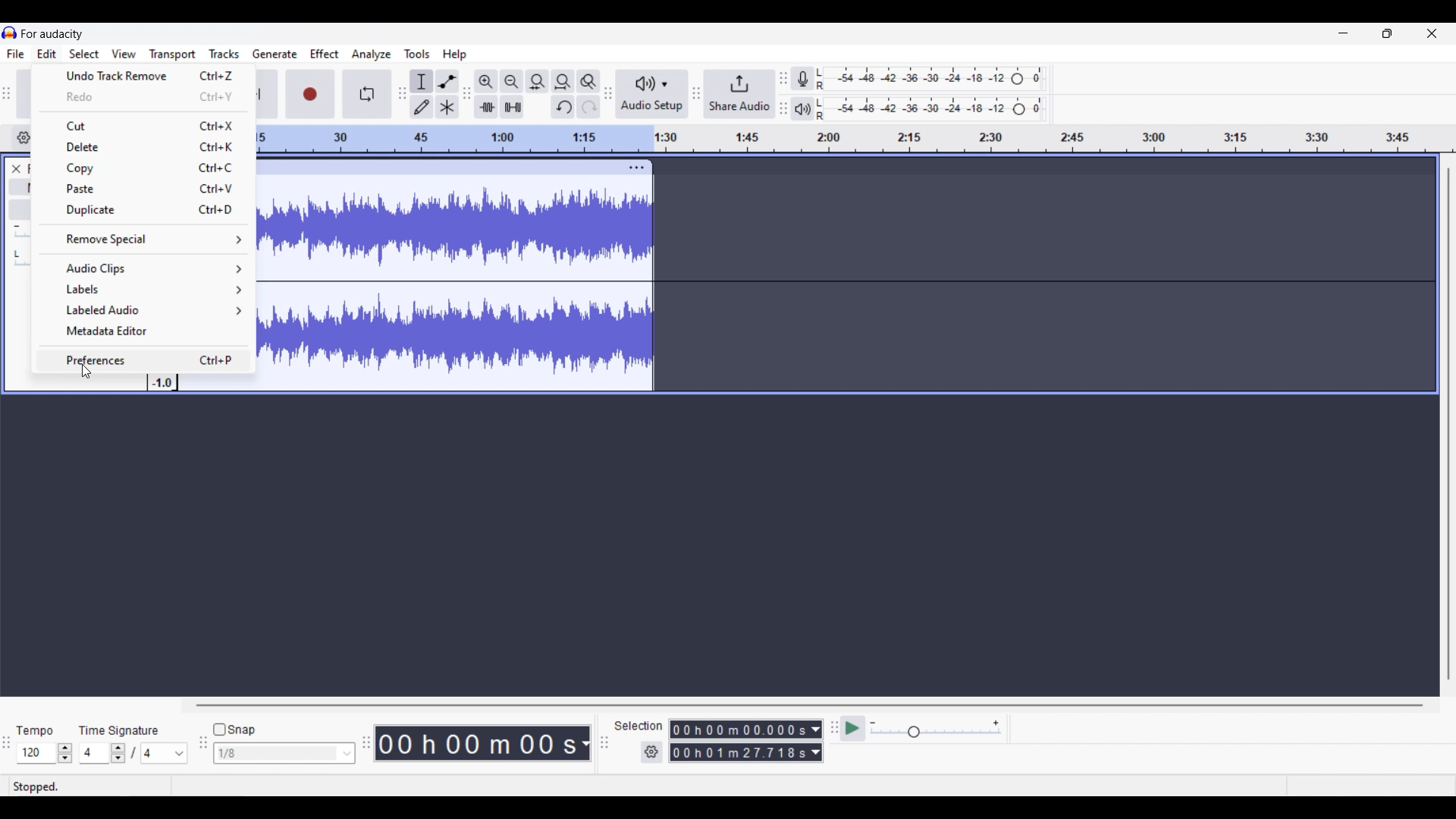  Describe the element at coordinates (123, 53) in the screenshot. I see `View menu` at that location.